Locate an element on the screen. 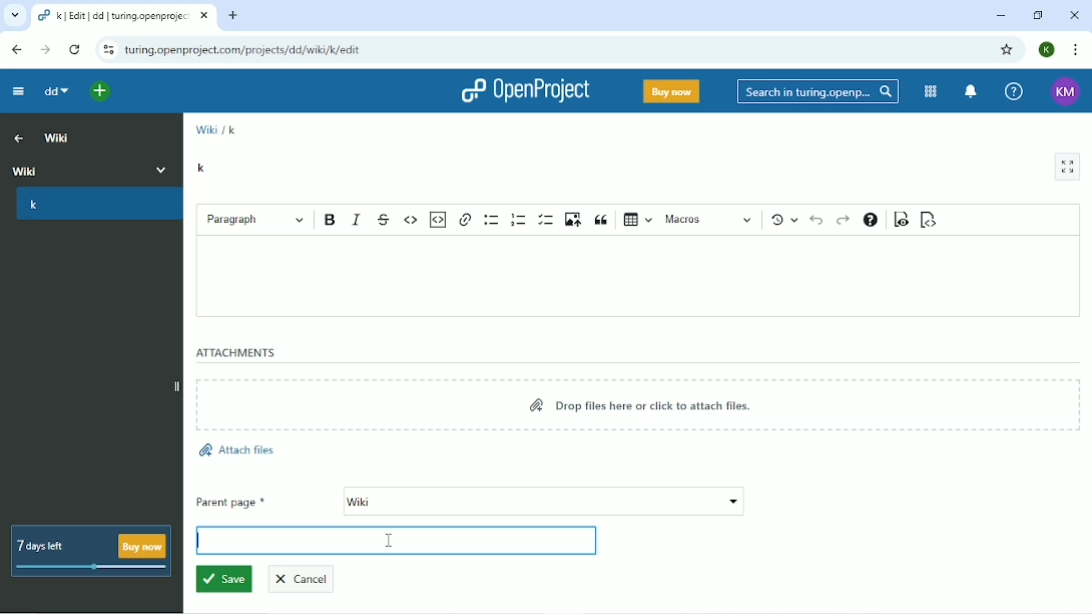 This screenshot has width=1092, height=614. Customize and control google chrome is located at coordinates (1074, 49).